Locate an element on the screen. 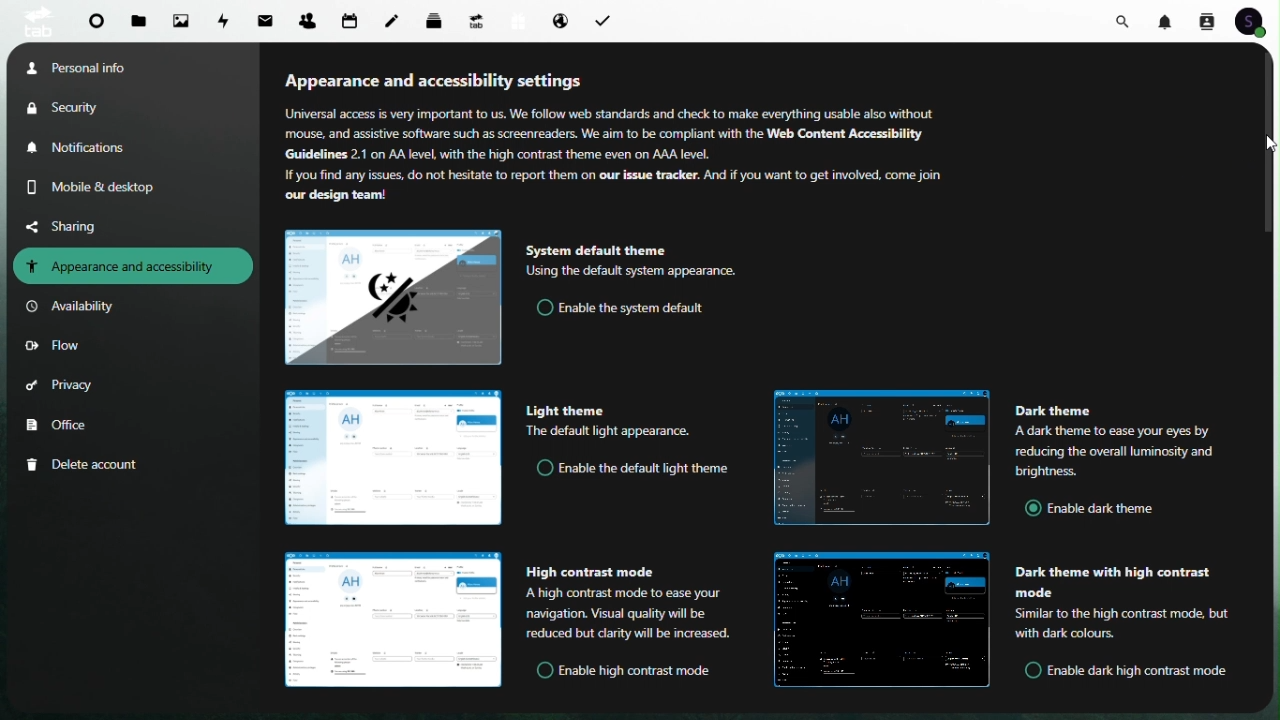 This screenshot has height=720, width=1280. Delete account is located at coordinates (86, 465).